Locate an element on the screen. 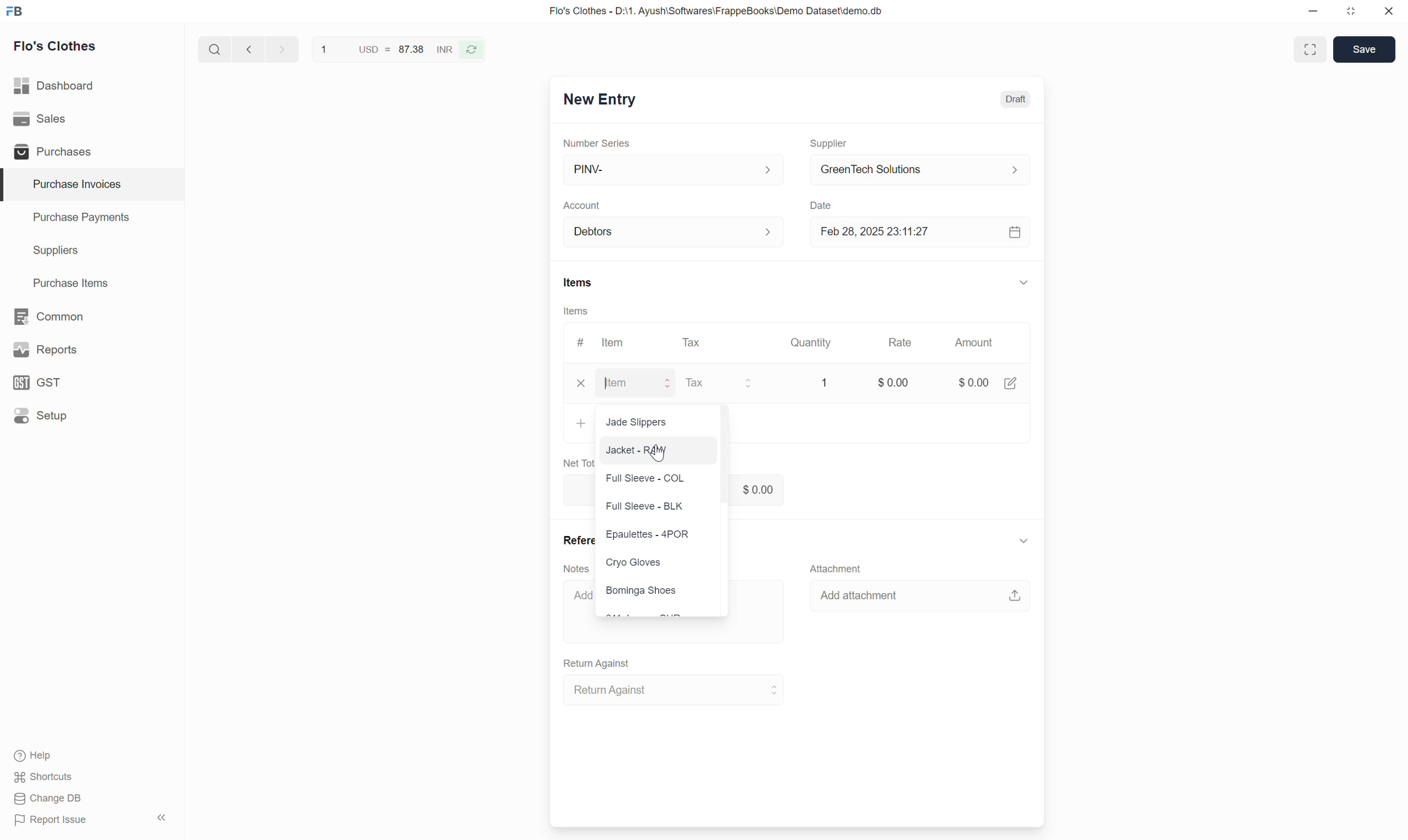 Image resolution: width=1408 pixels, height=840 pixels. Suppliers is located at coordinates (92, 251).